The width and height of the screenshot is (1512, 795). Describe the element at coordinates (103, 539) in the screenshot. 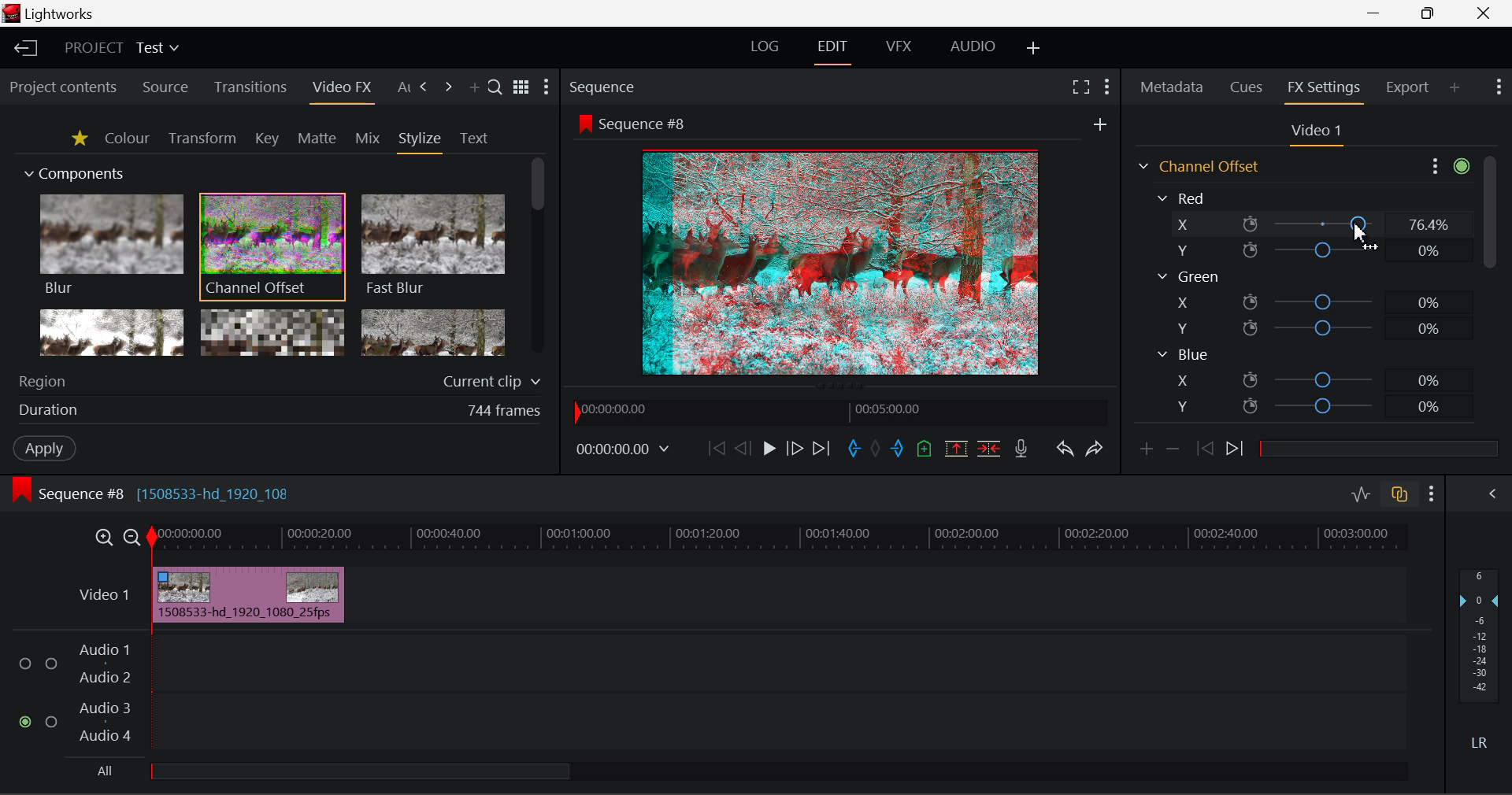

I see `Timeline Zoom In` at that location.